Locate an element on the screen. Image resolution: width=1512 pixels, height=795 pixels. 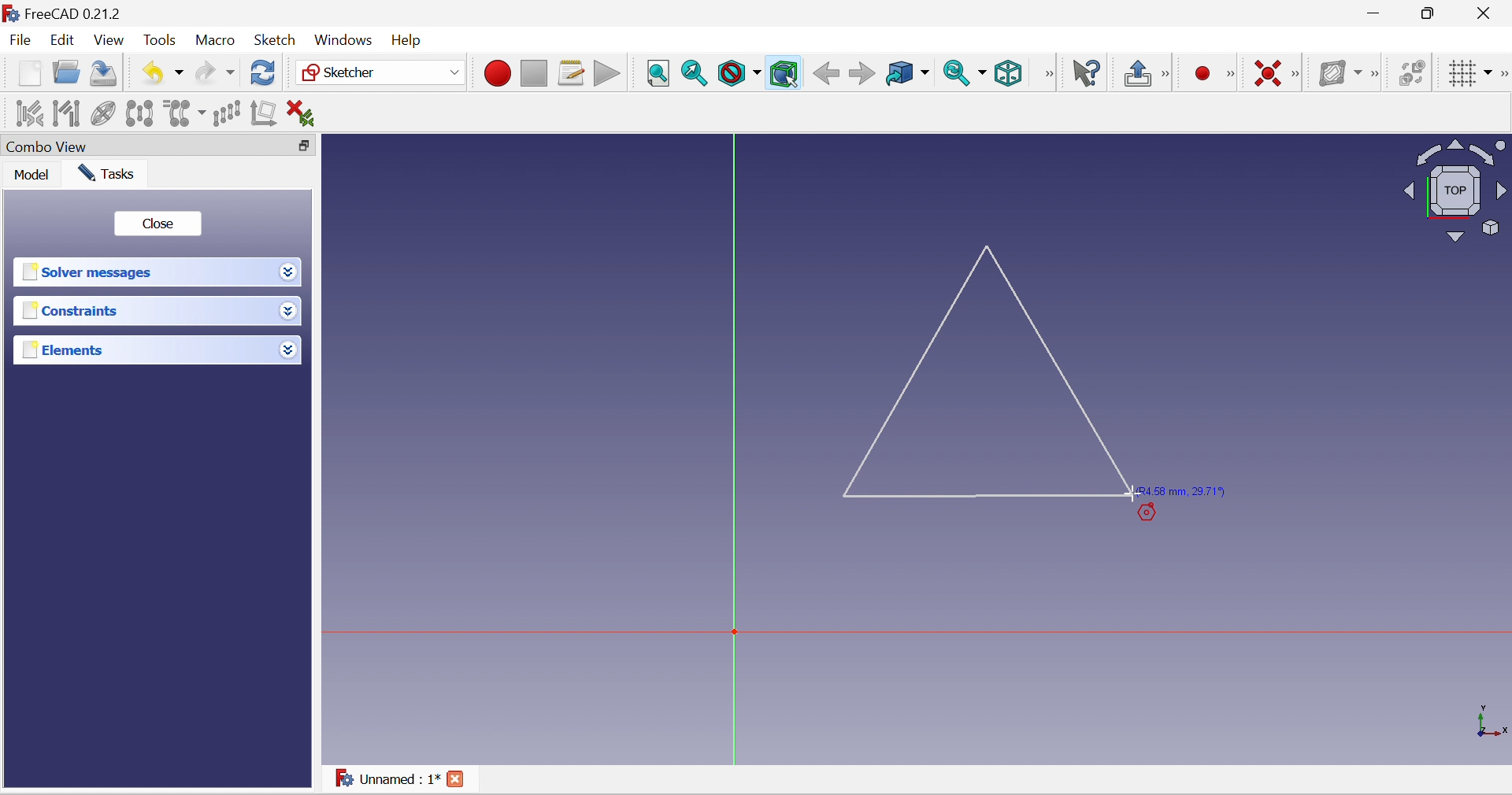
Delete all constraints is located at coordinates (301, 115).